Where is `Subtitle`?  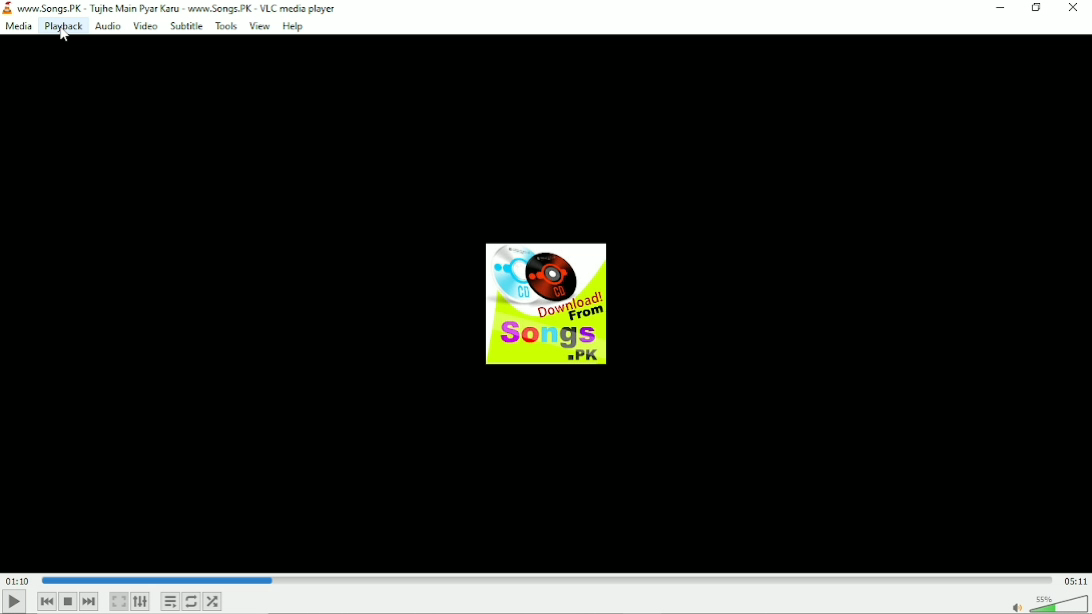
Subtitle is located at coordinates (187, 27).